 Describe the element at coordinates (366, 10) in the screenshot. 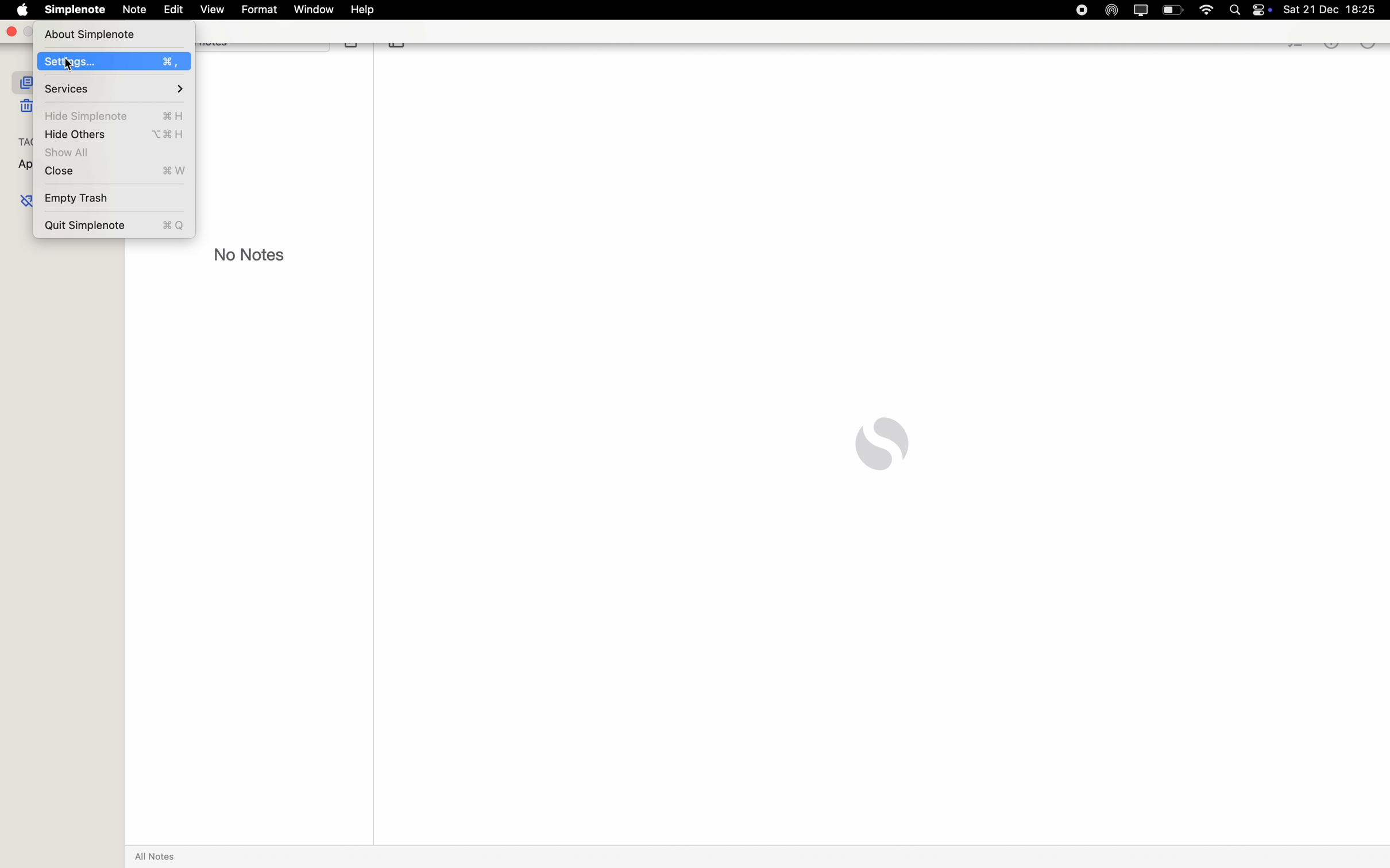

I see `help` at that location.